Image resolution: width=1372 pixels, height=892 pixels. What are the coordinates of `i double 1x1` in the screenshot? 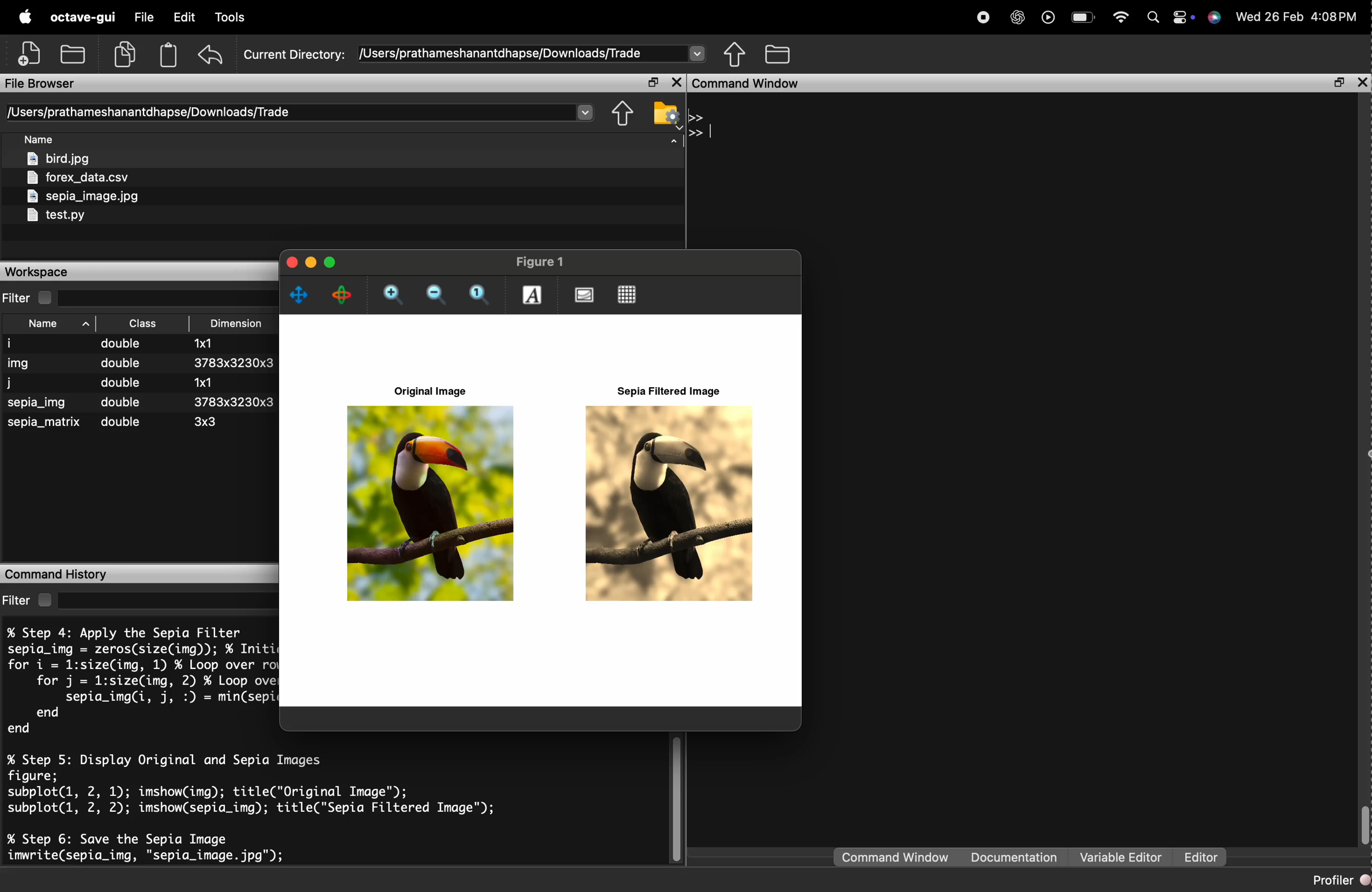 It's located at (110, 343).